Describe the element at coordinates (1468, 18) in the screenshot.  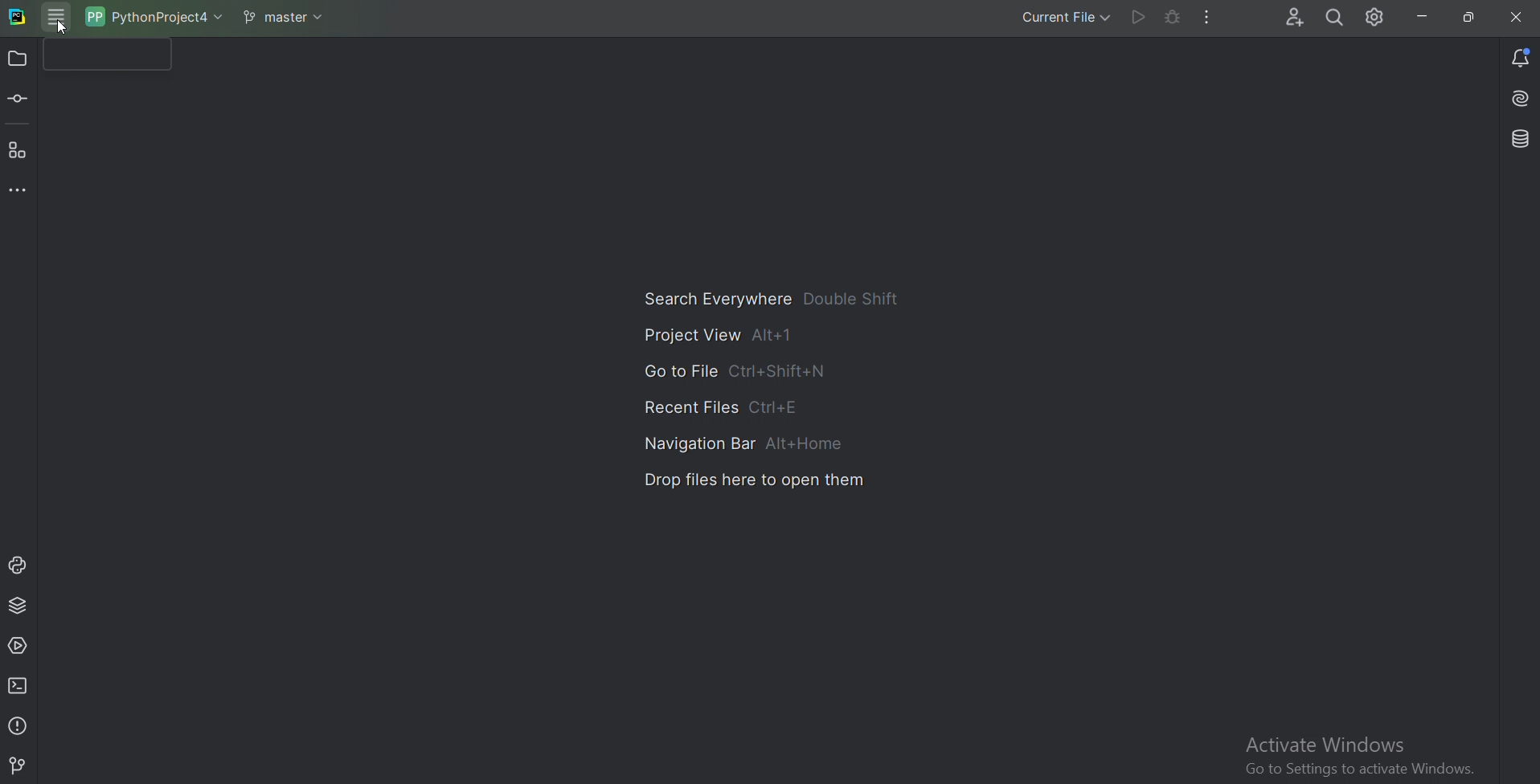
I see `Restore down` at that location.